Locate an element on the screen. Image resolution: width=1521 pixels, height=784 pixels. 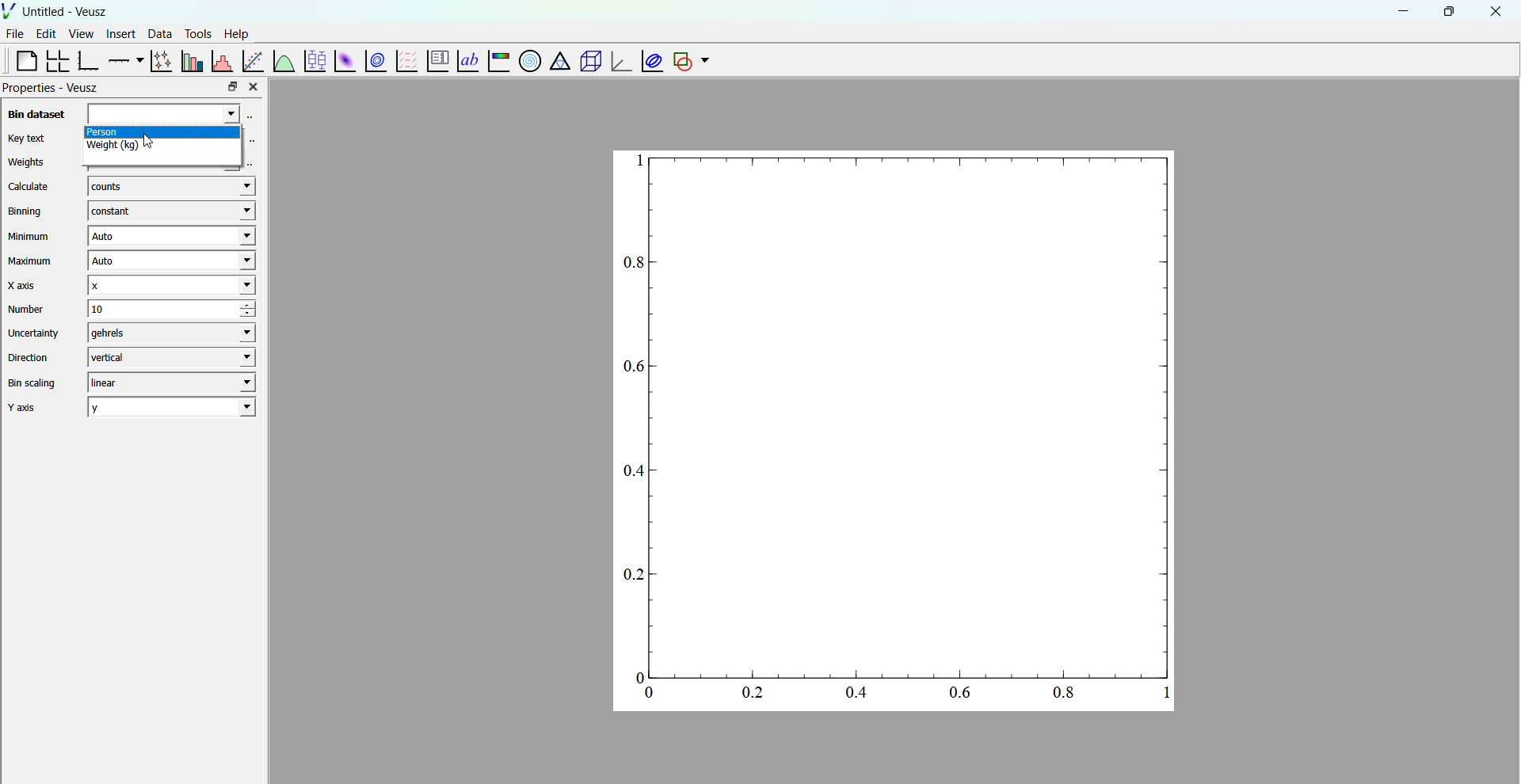
Y axis is located at coordinates (28, 408).